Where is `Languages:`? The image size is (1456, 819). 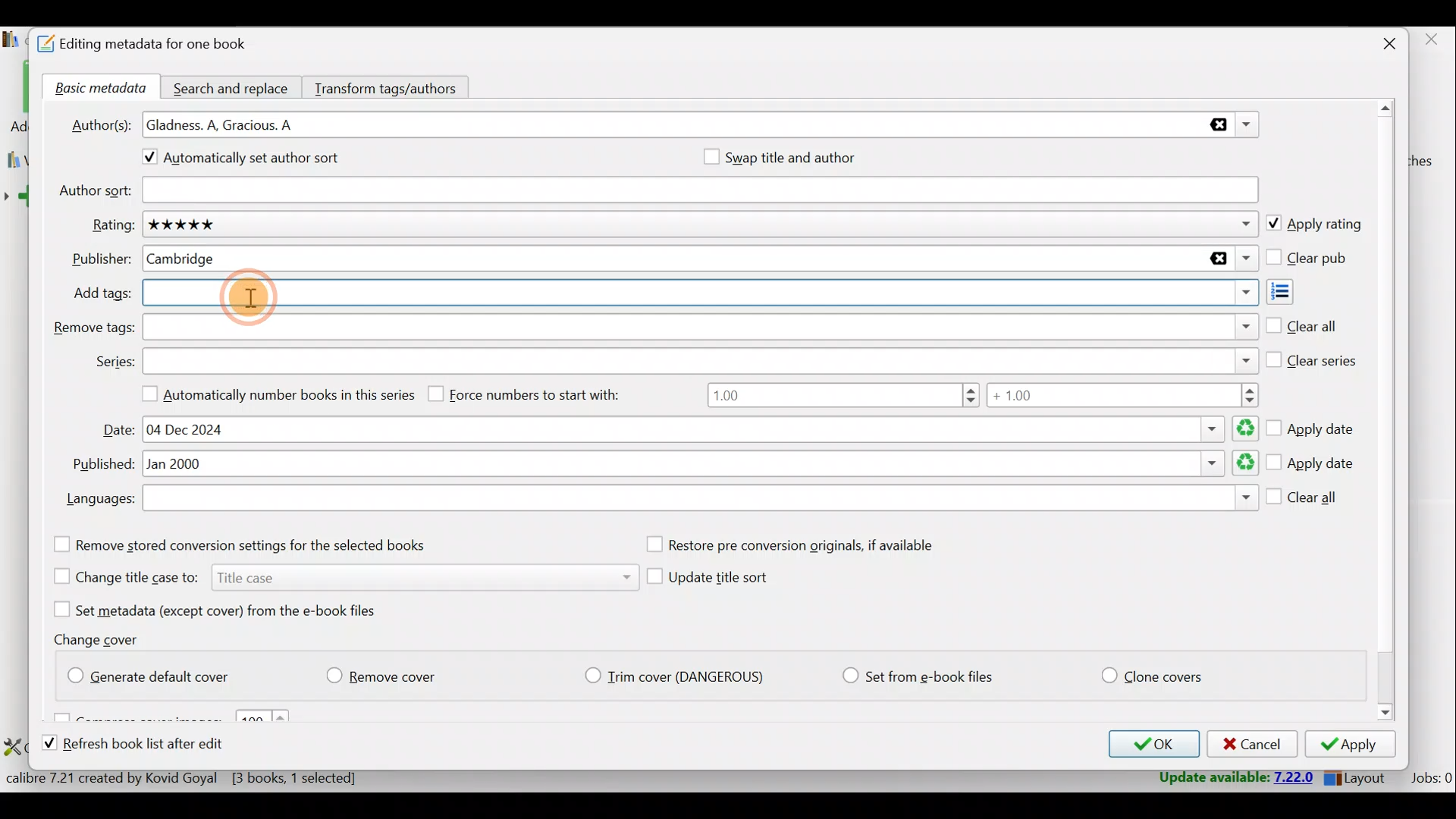
Languages: is located at coordinates (99, 500).